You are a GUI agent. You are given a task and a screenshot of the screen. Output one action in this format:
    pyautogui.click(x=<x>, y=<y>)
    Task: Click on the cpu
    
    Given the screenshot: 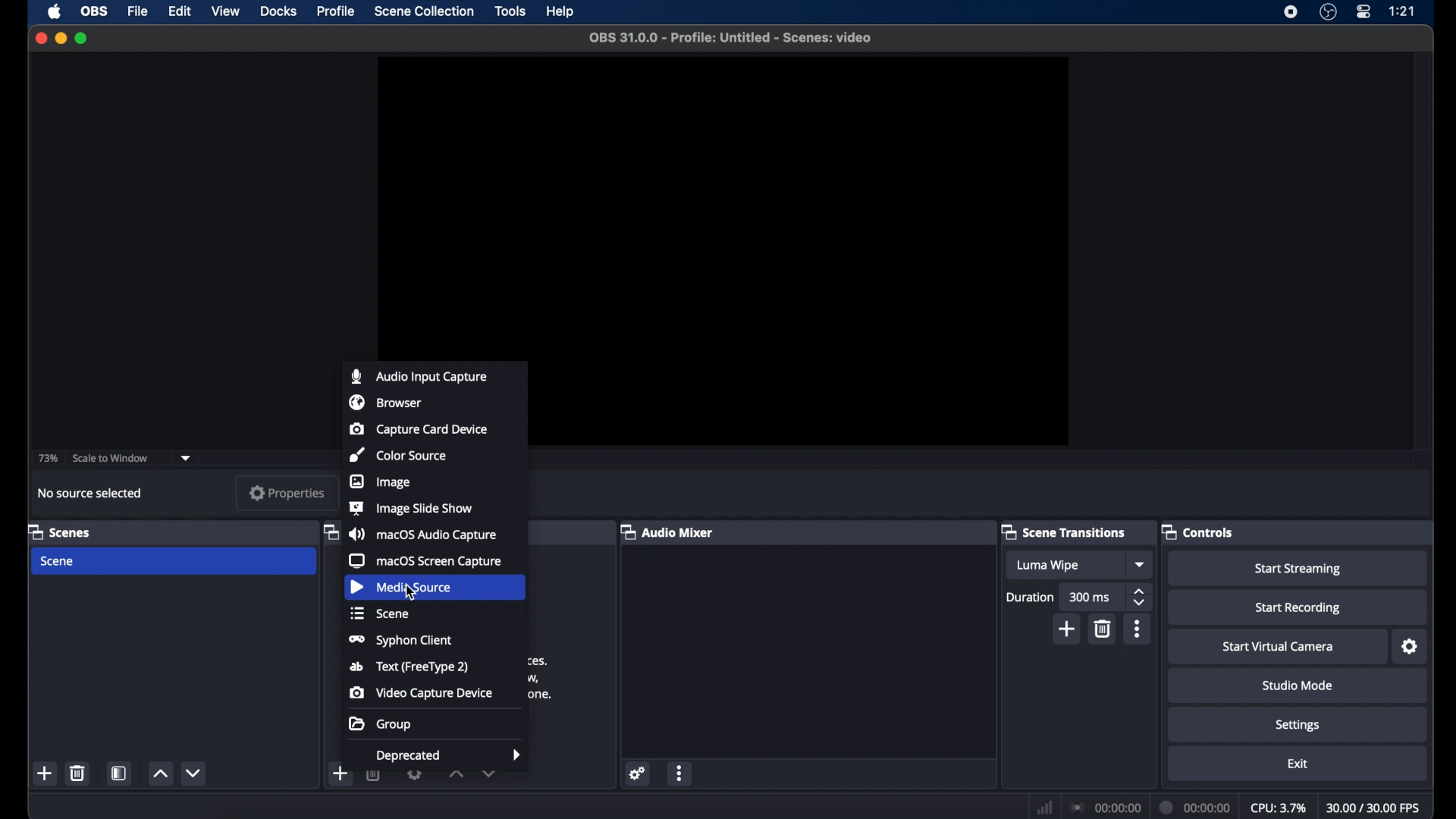 What is the action you would take?
    pyautogui.click(x=1278, y=807)
    